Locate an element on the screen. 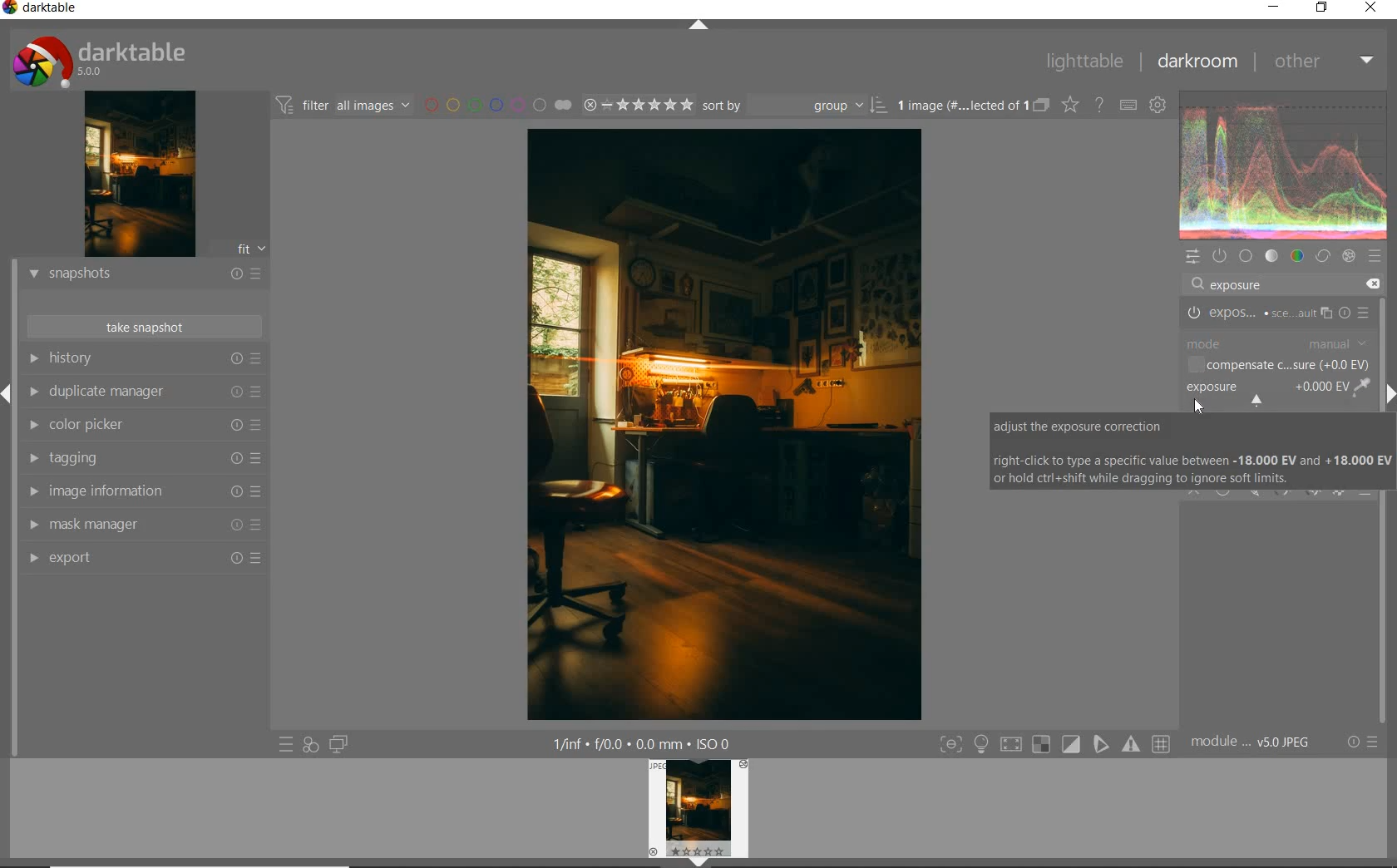  tagging is located at coordinates (144, 457).